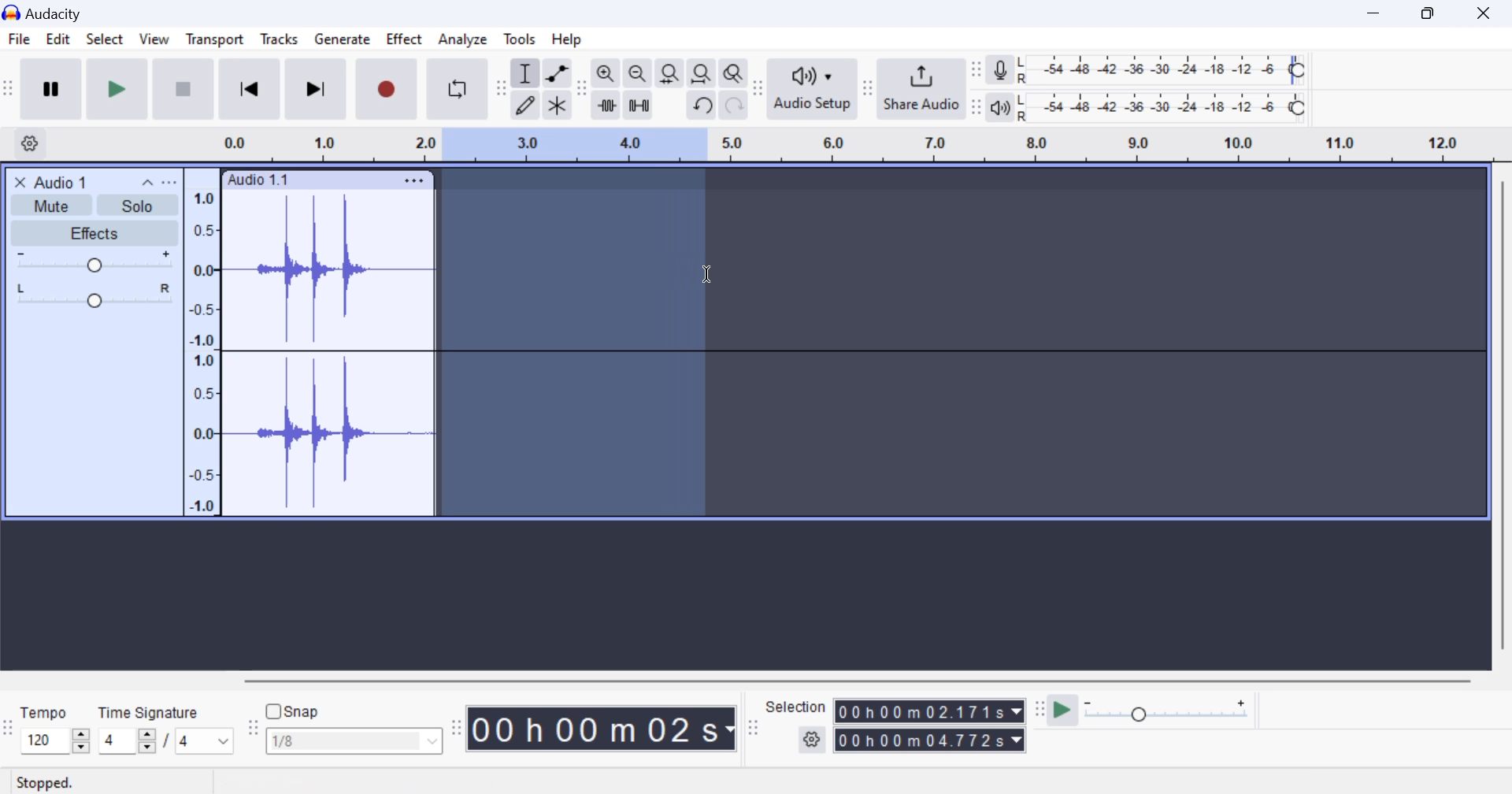 The image size is (1512, 794). I want to click on record meter, so click(1001, 72).